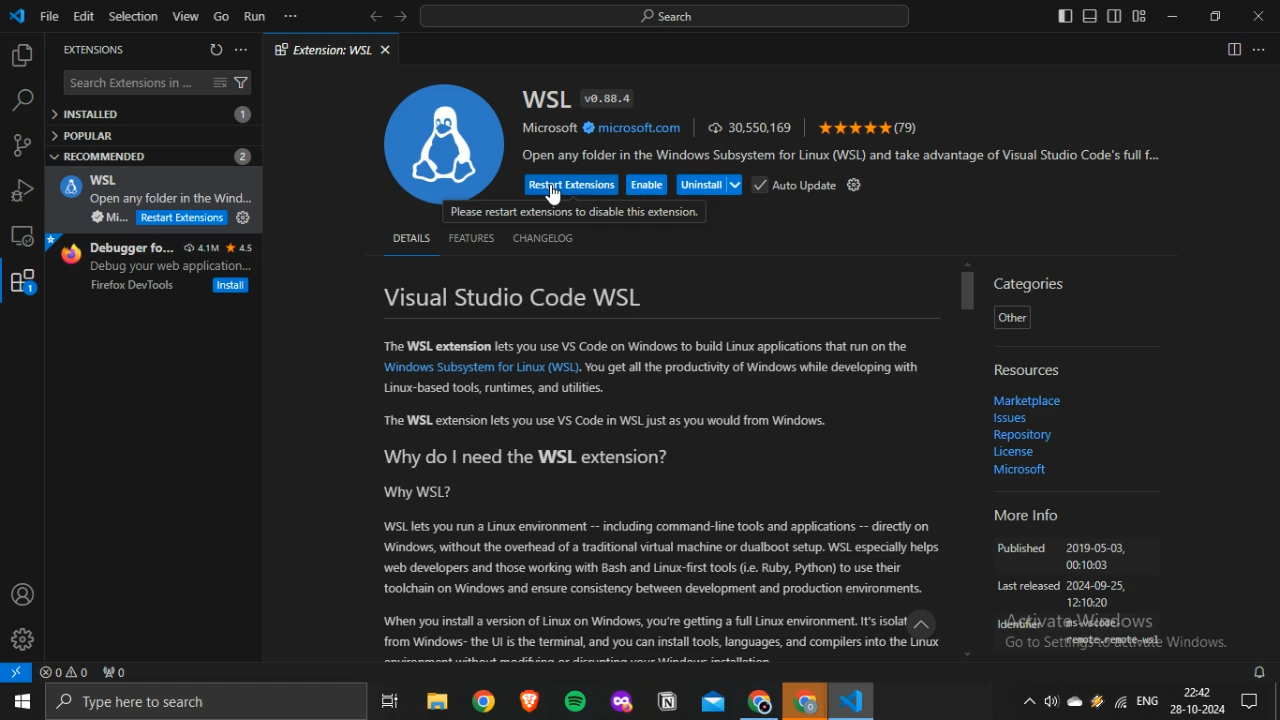  Describe the element at coordinates (1234, 49) in the screenshot. I see `Split editor` at that location.